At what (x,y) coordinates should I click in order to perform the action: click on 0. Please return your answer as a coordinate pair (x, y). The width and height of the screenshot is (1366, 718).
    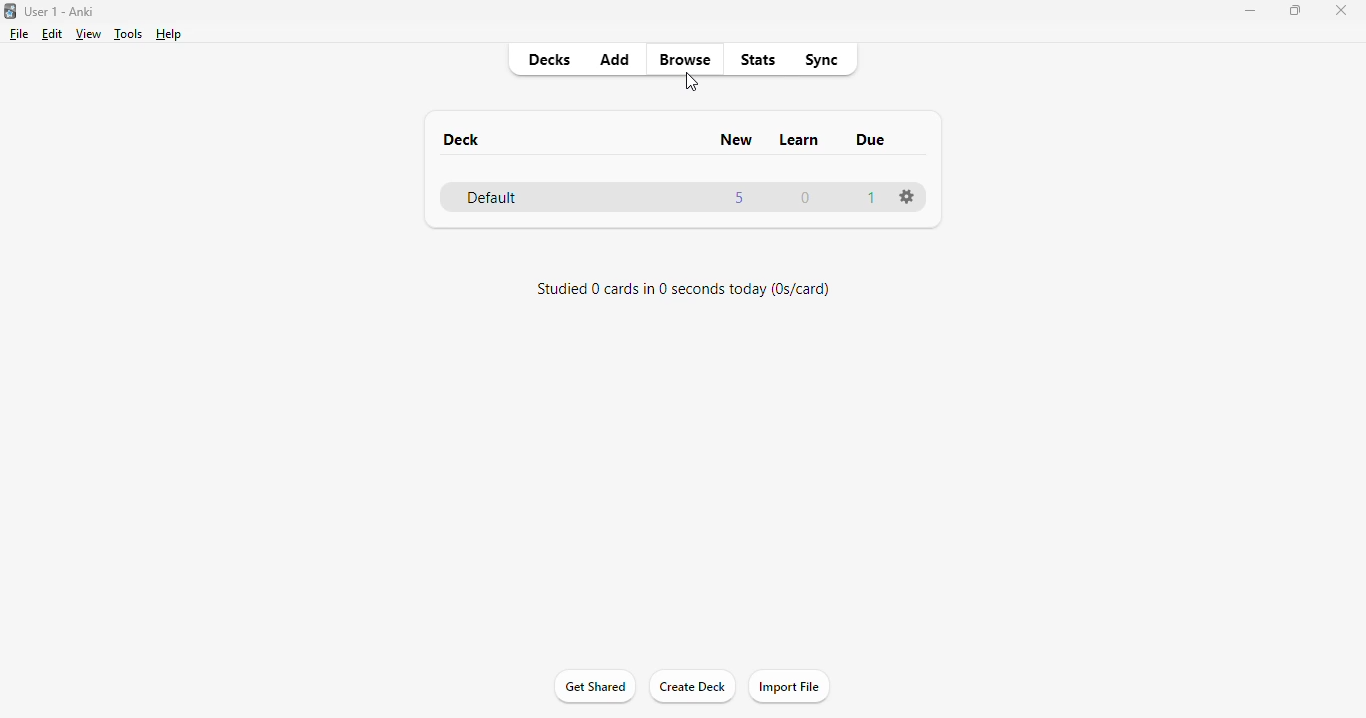
    Looking at the image, I should click on (806, 197).